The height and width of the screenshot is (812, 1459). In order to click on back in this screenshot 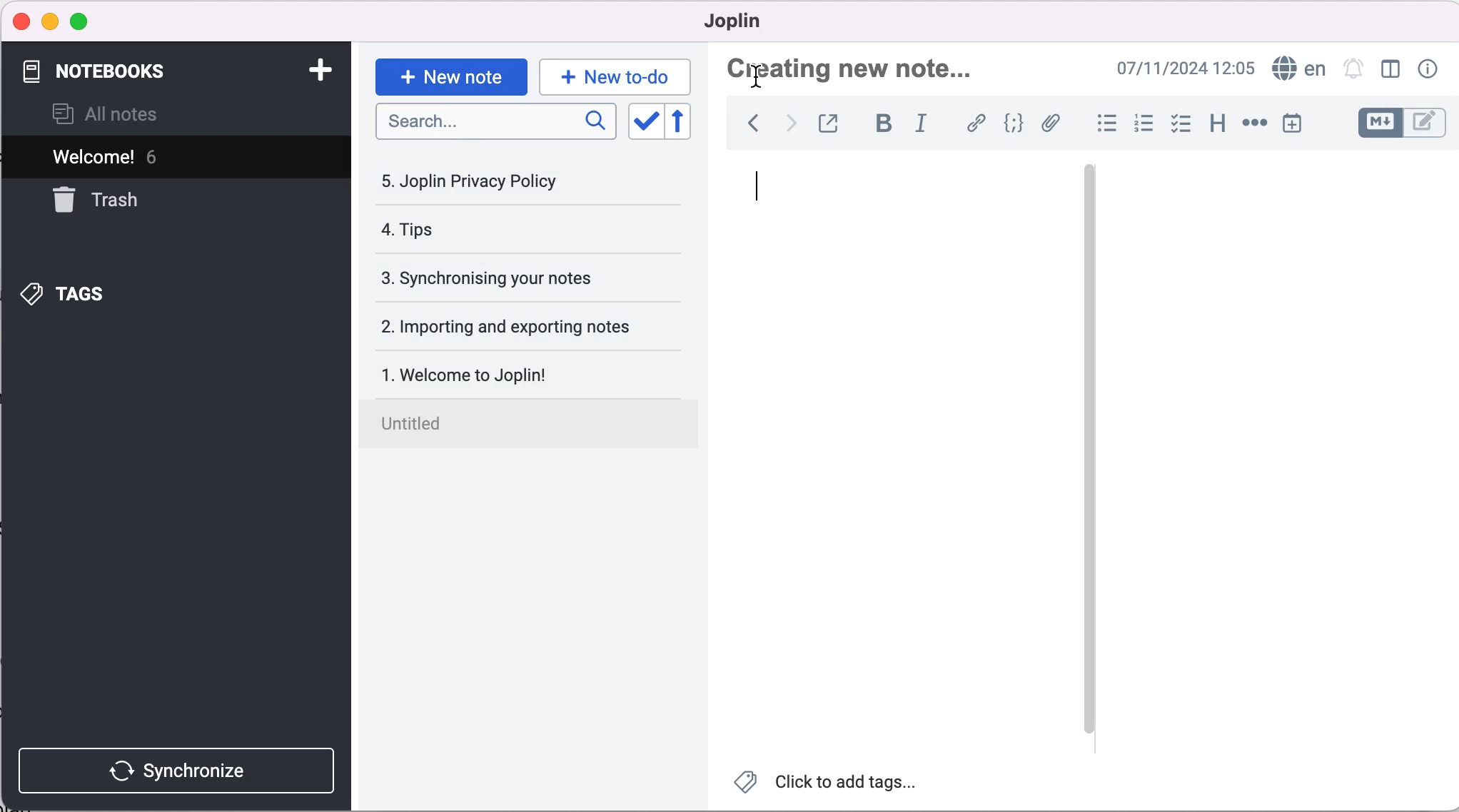, I will do `click(747, 123)`.